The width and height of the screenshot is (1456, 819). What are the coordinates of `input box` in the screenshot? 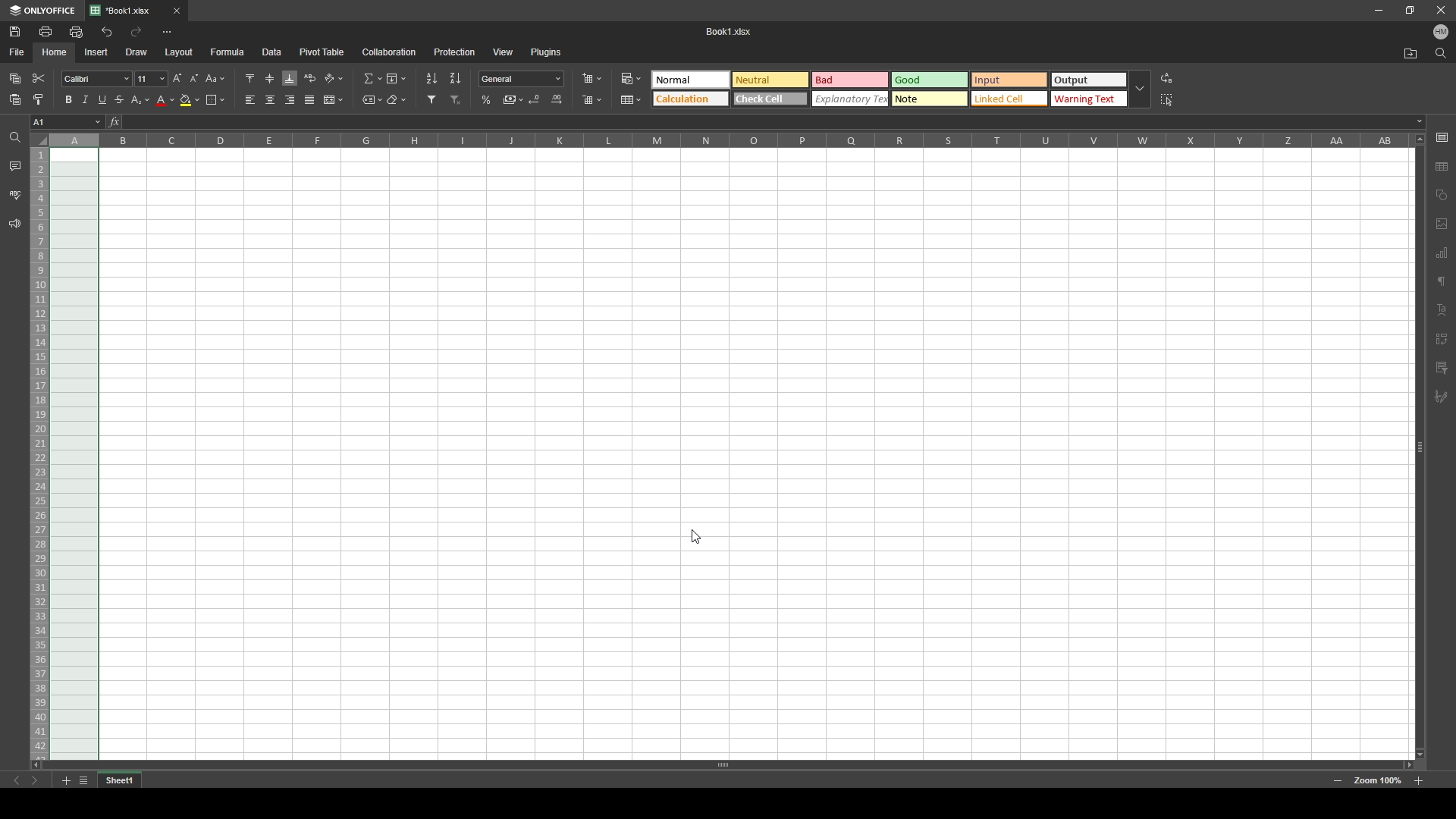 It's located at (772, 122).